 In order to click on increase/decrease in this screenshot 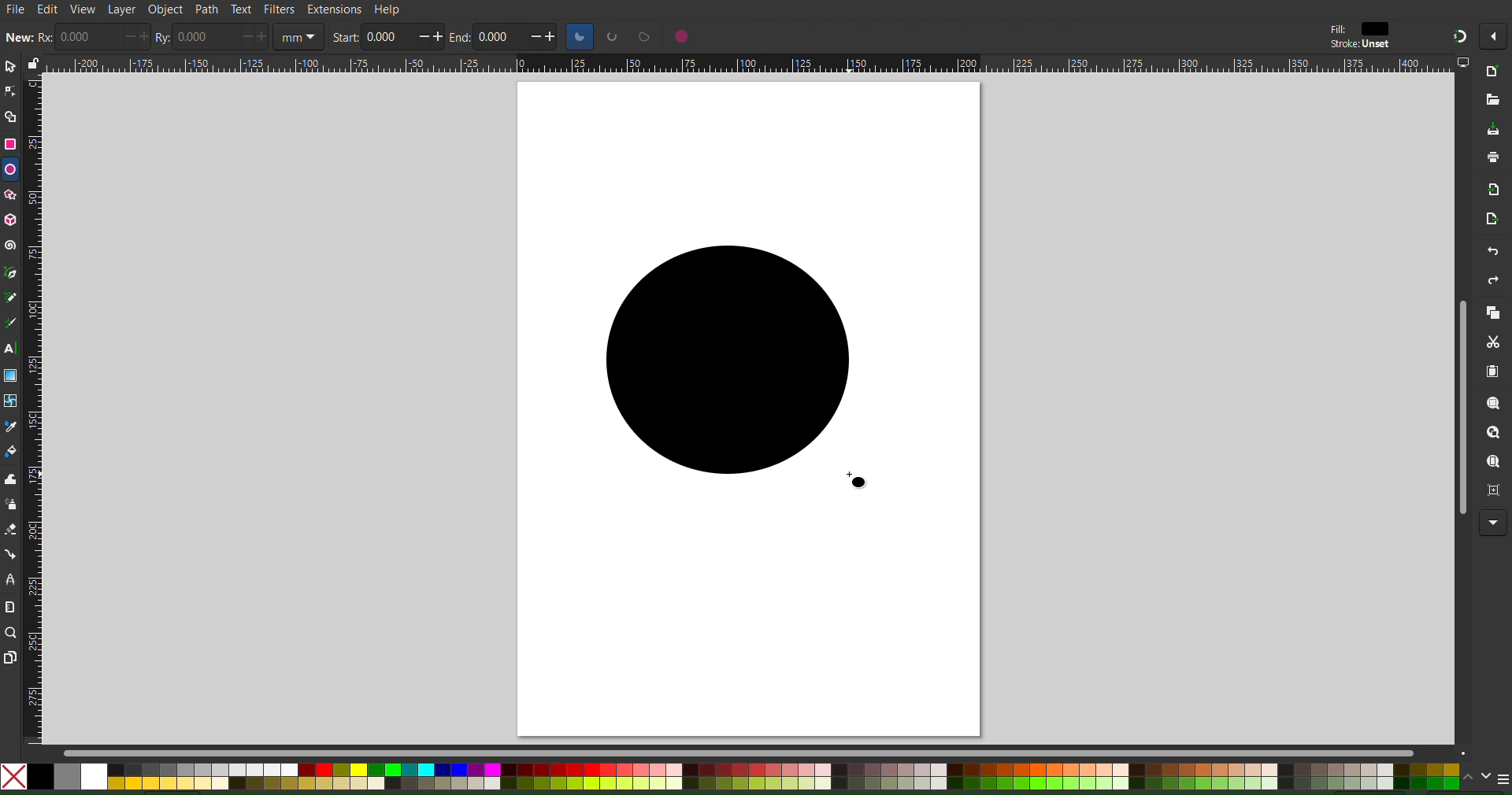, I will do `click(253, 36)`.